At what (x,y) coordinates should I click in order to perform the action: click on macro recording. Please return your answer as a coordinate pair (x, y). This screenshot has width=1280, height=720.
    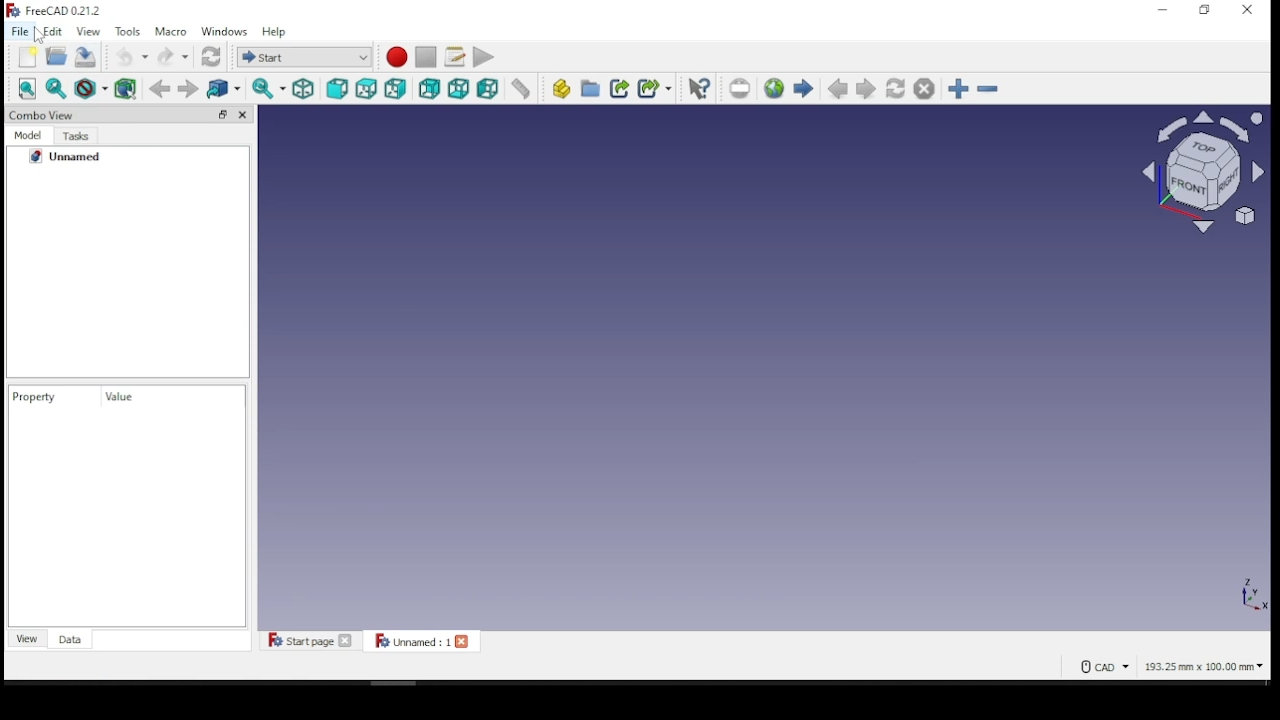
    Looking at the image, I should click on (397, 57).